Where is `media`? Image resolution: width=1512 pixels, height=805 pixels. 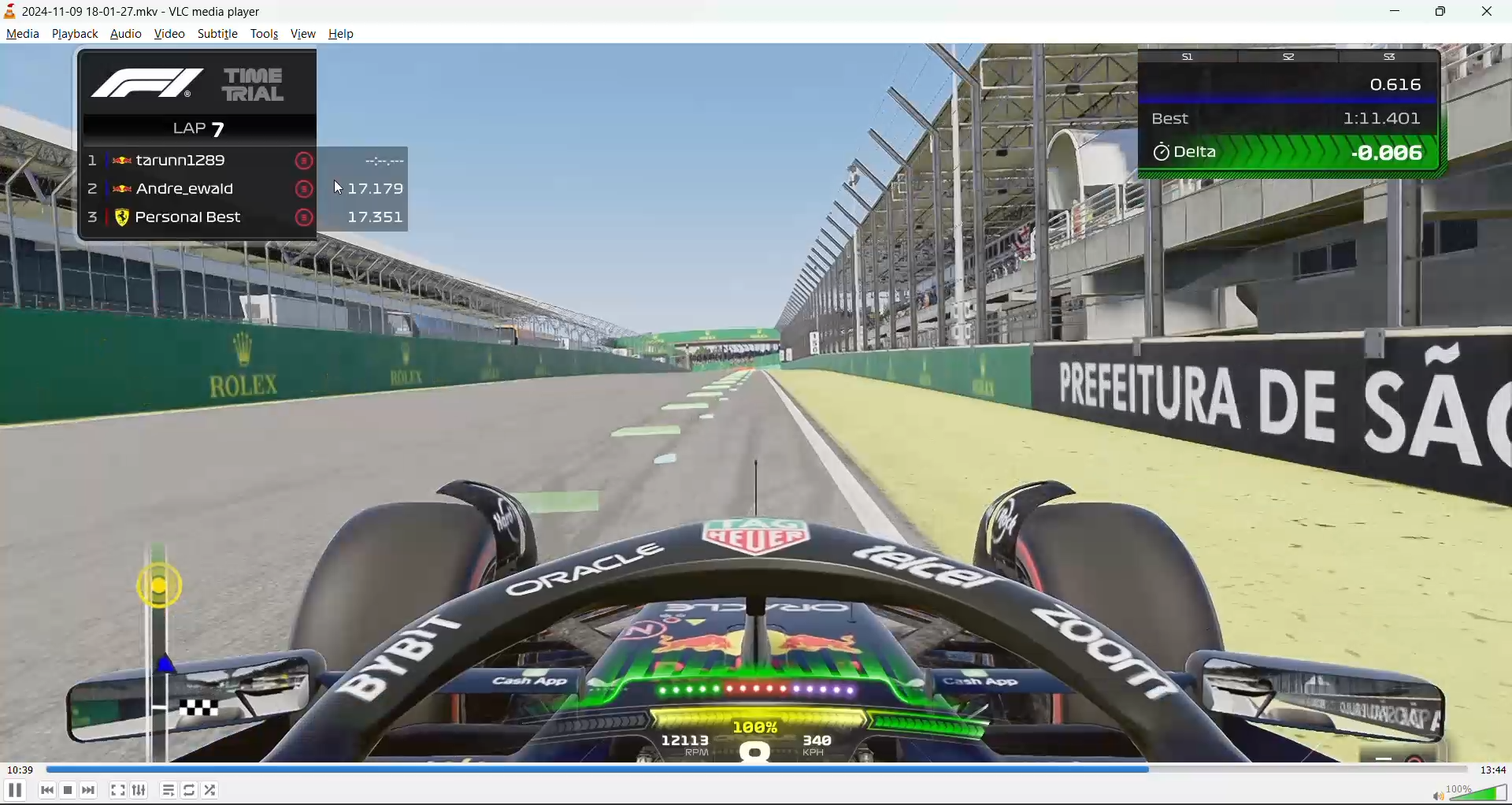
media is located at coordinates (23, 34).